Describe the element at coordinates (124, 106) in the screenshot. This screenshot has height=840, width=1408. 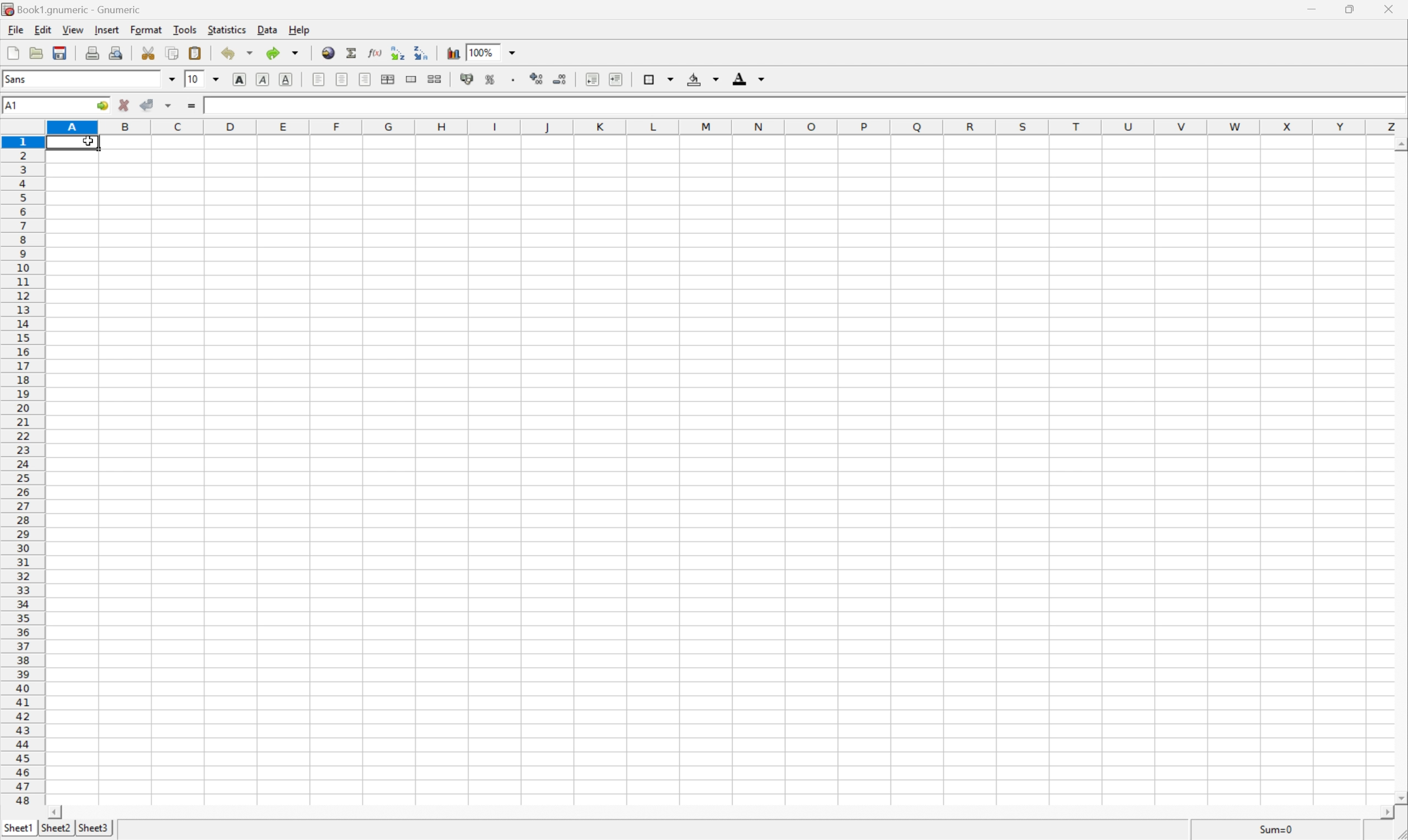
I see `cancel change` at that location.